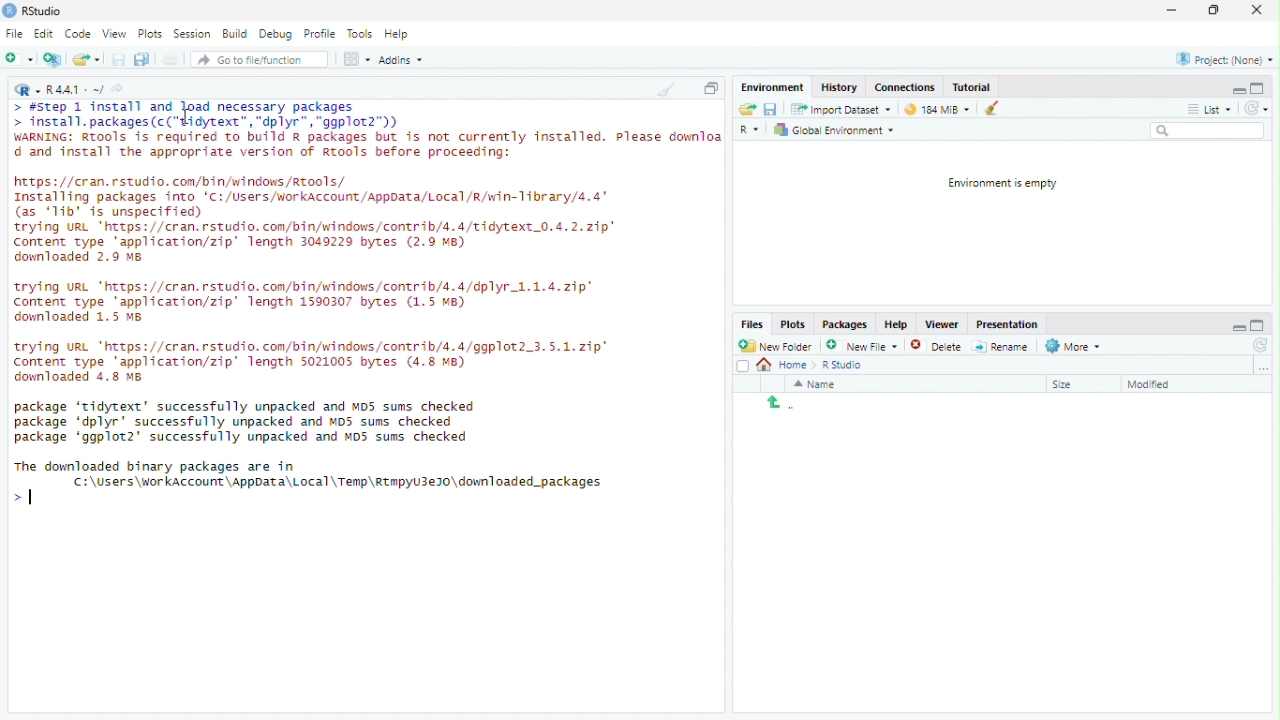 The width and height of the screenshot is (1280, 720). Describe the element at coordinates (743, 367) in the screenshot. I see `Checkbox` at that location.